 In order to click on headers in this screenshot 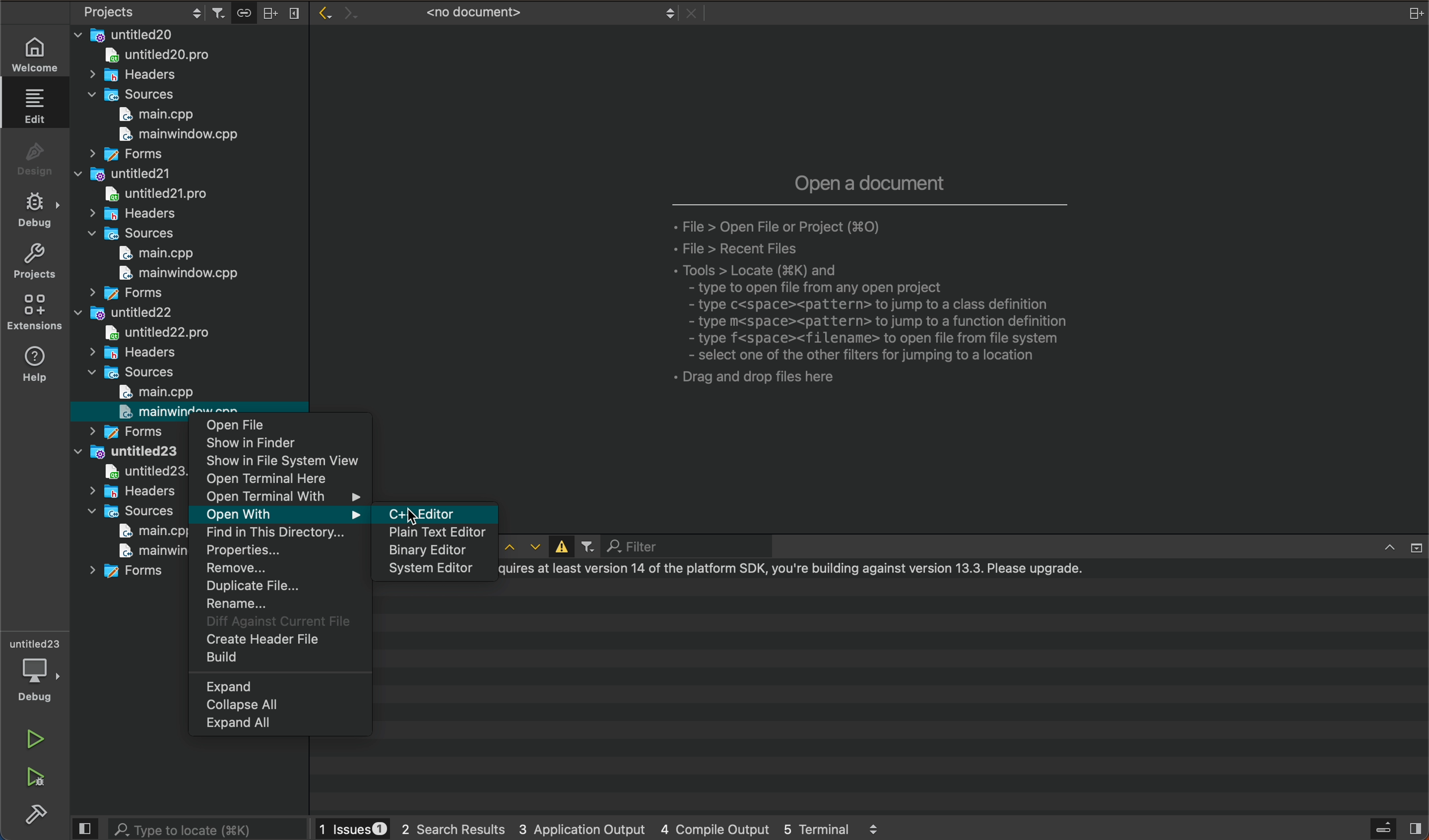, I will do `click(130, 353)`.